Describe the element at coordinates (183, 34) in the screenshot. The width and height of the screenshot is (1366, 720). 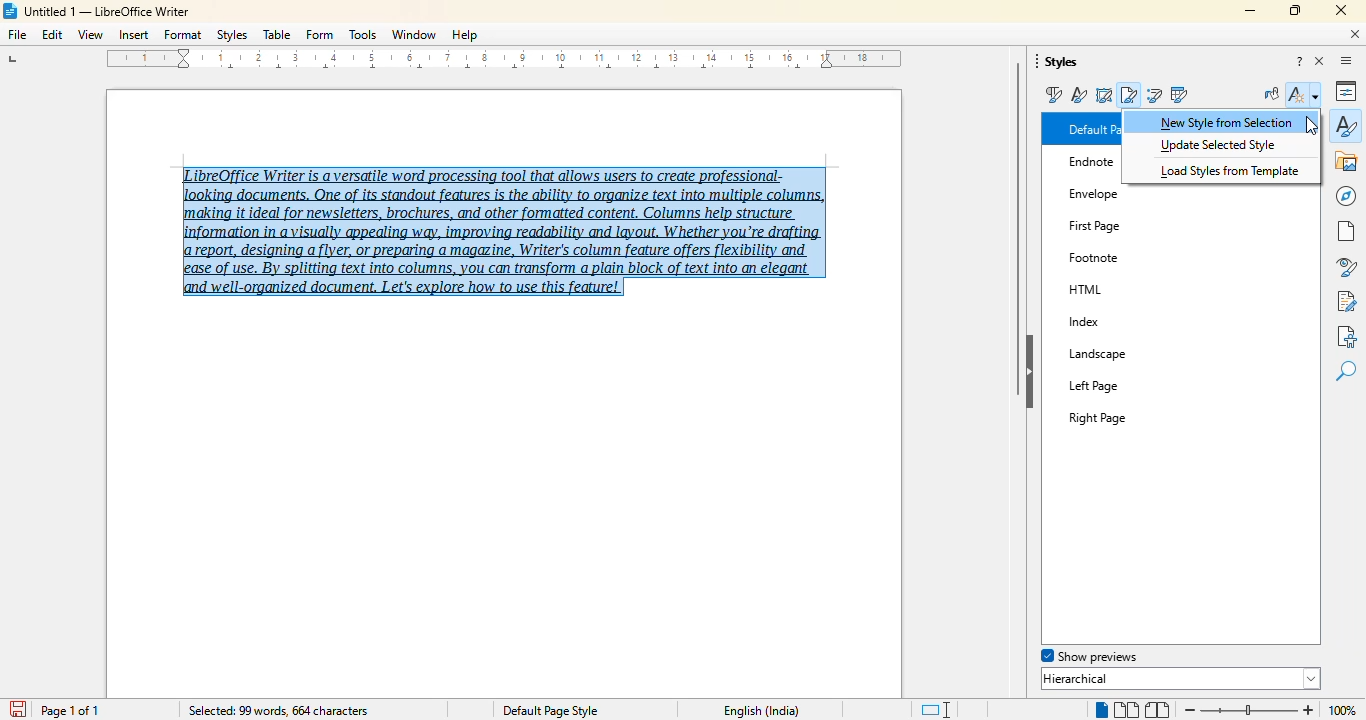
I see `format` at that location.